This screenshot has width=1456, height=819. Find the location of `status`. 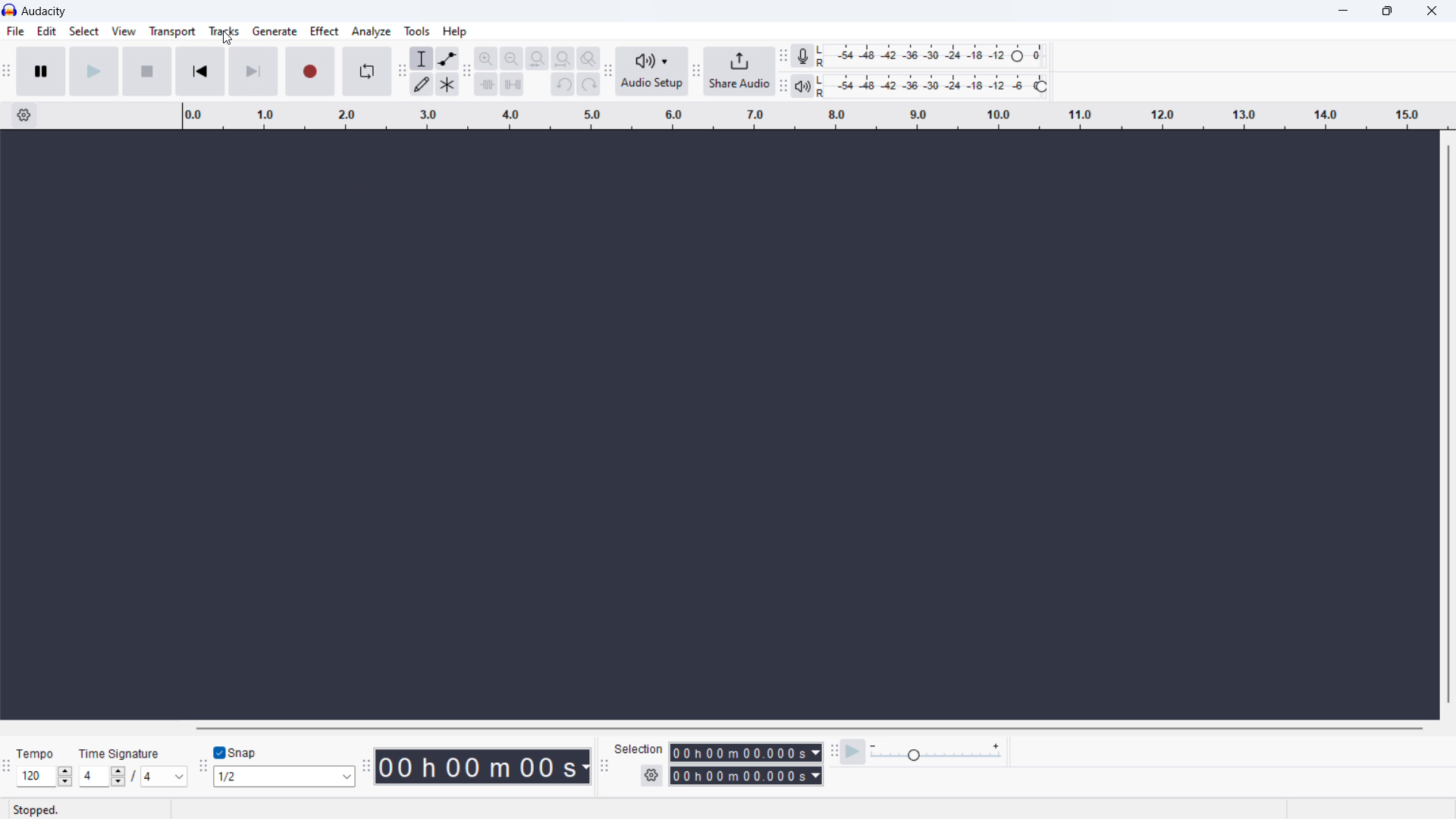

status is located at coordinates (37, 809).